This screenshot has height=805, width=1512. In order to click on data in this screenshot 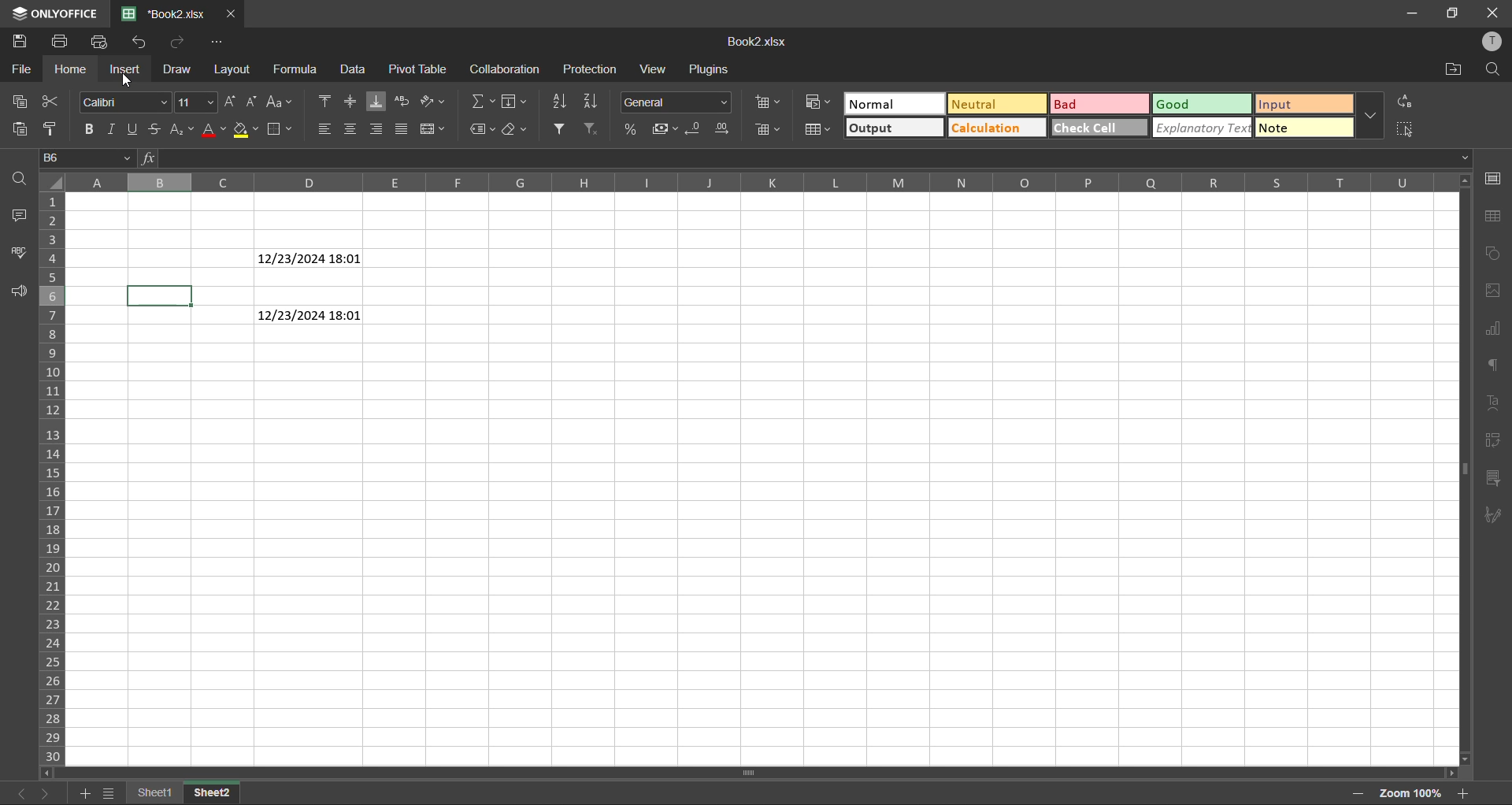, I will do `click(354, 70)`.